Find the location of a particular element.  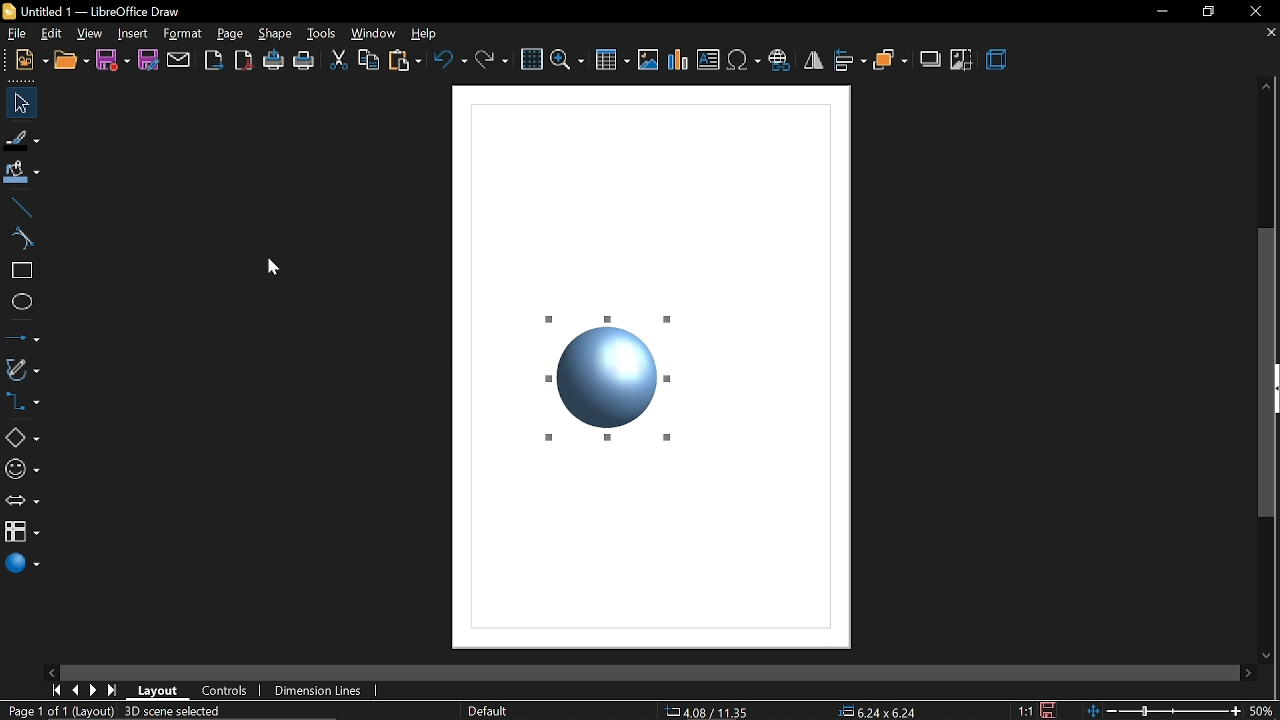

insert symbol is located at coordinates (743, 60).